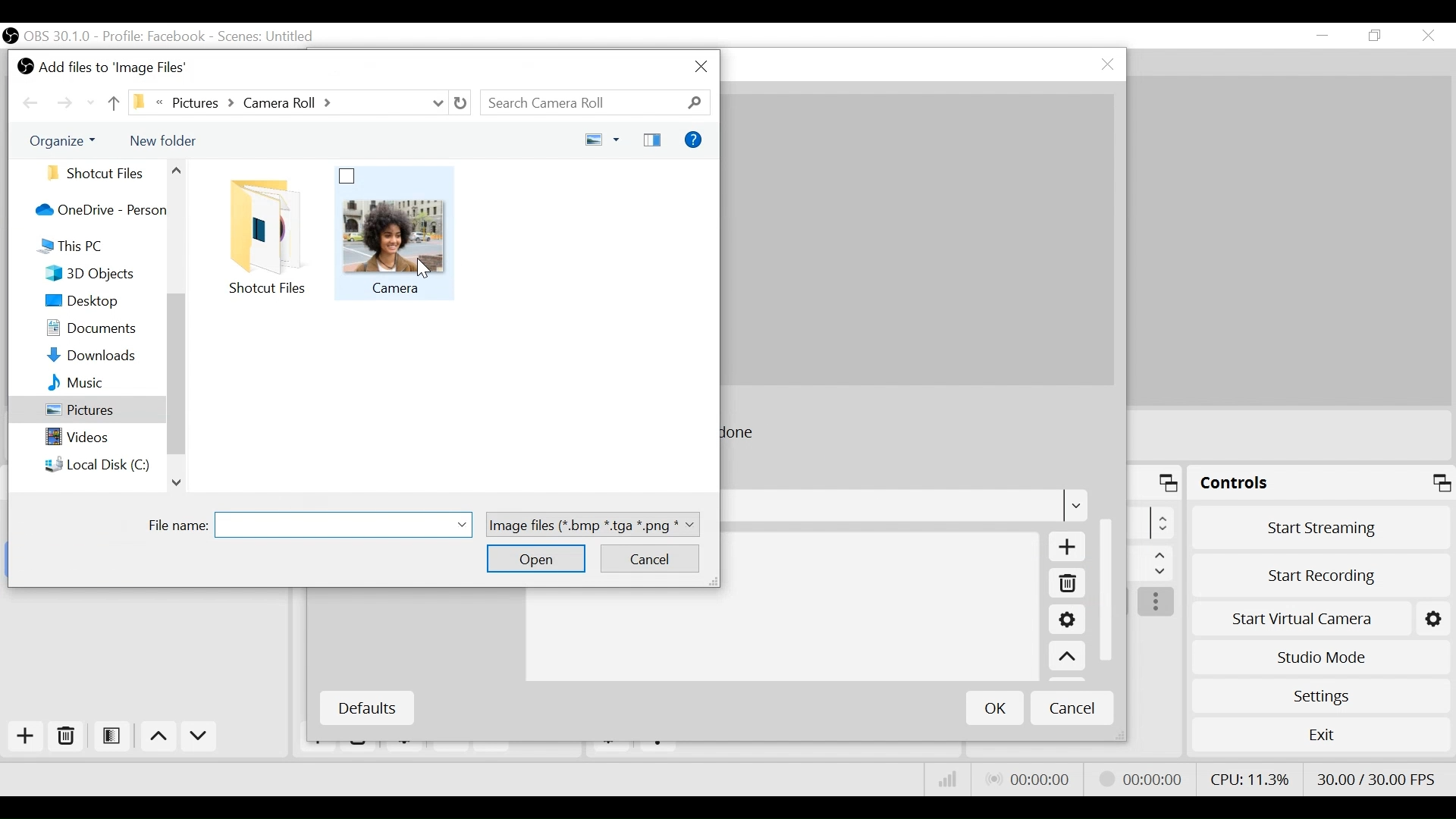  Describe the element at coordinates (1066, 622) in the screenshot. I see `Settings` at that location.